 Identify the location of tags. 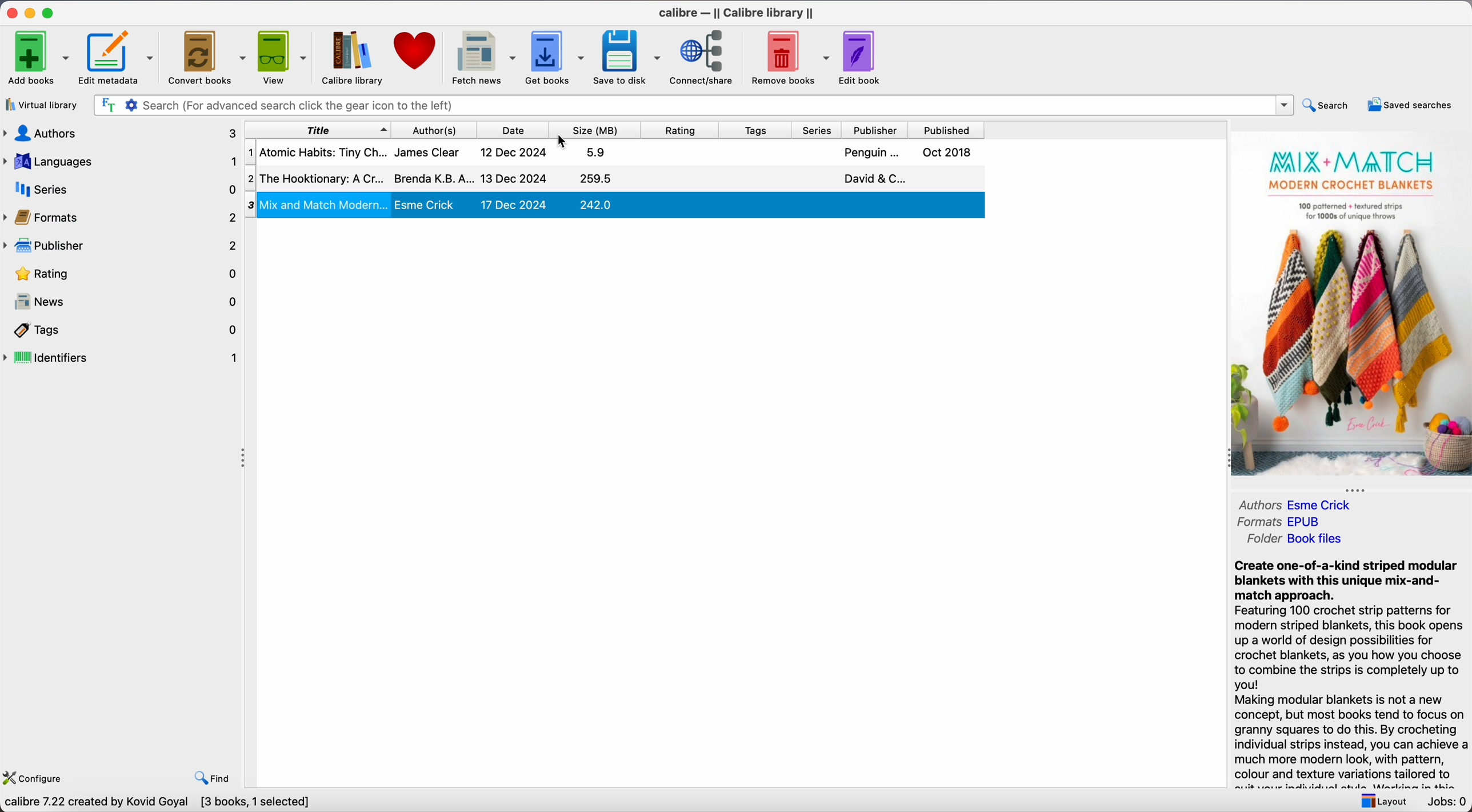
(758, 130).